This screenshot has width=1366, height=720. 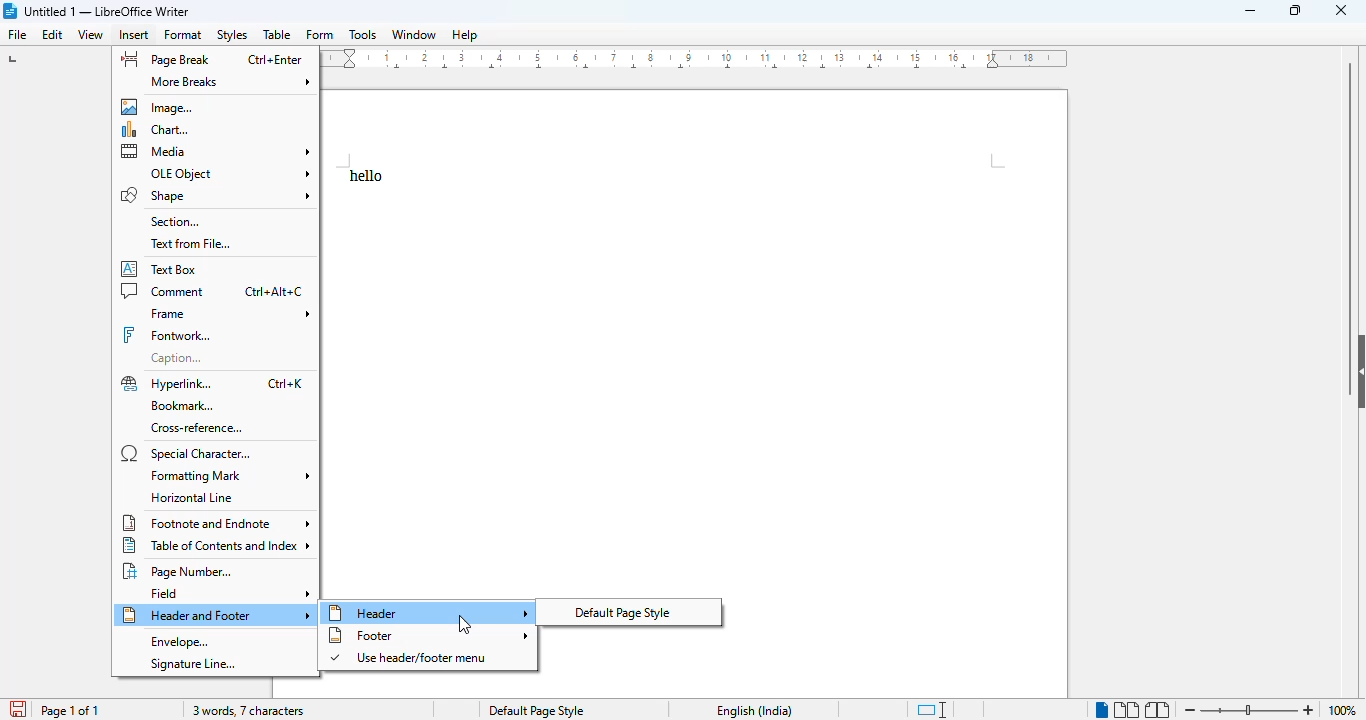 I want to click on table of contents and index, so click(x=215, y=546).